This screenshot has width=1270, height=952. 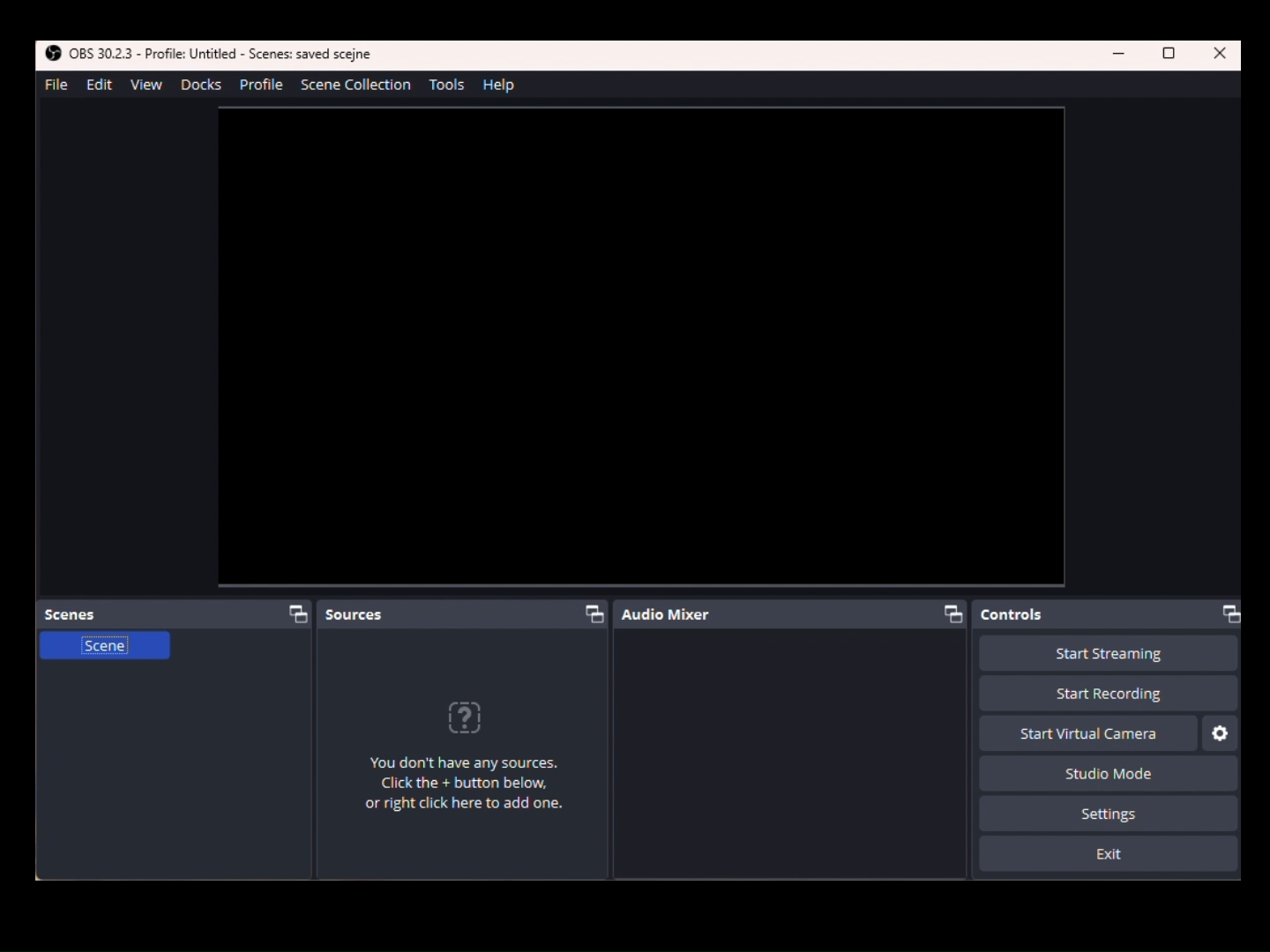 I want to click on After Last action, so click(x=267, y=55).